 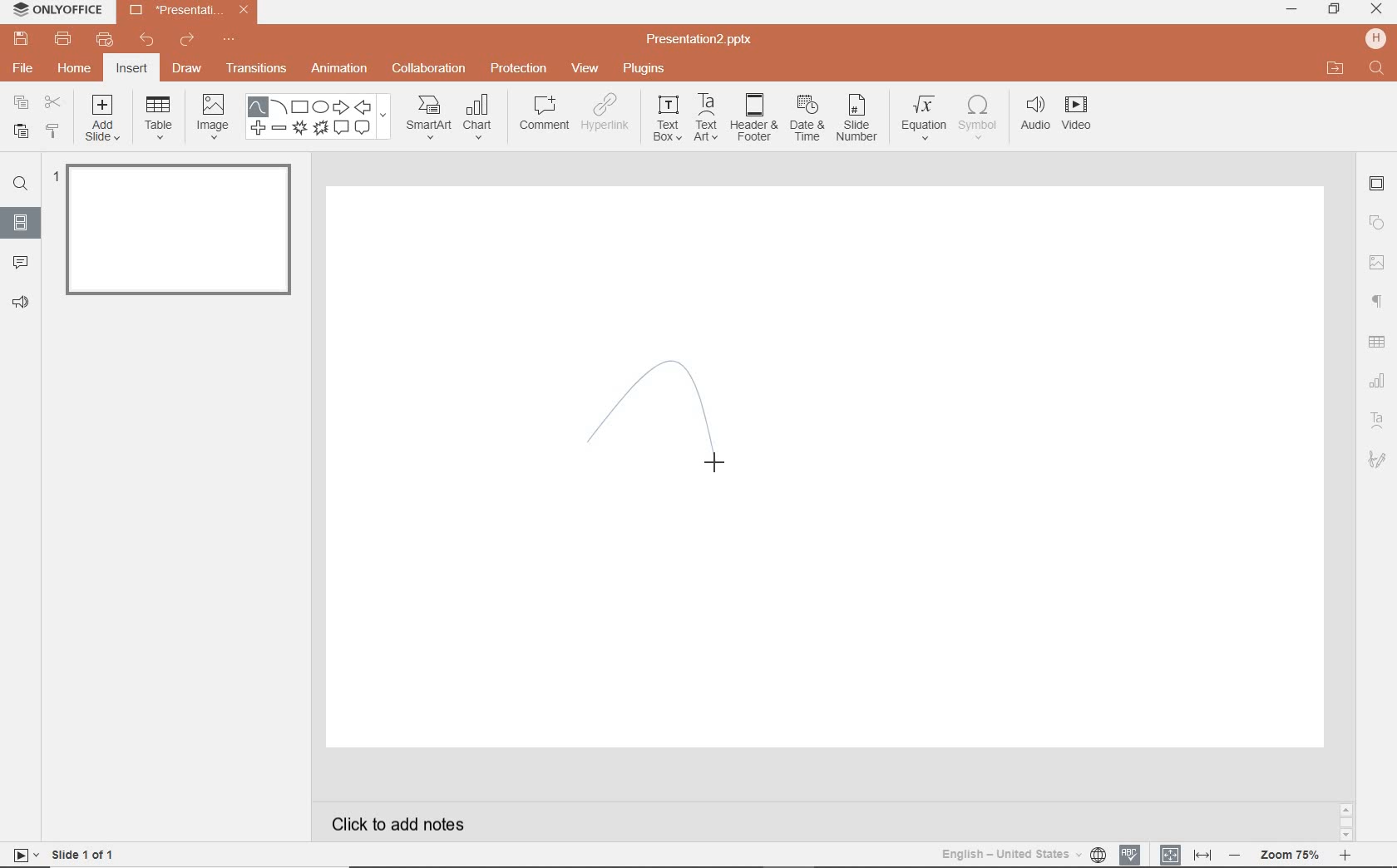 I want to click on Presentation2.pptx, so click(x=701, y=42).